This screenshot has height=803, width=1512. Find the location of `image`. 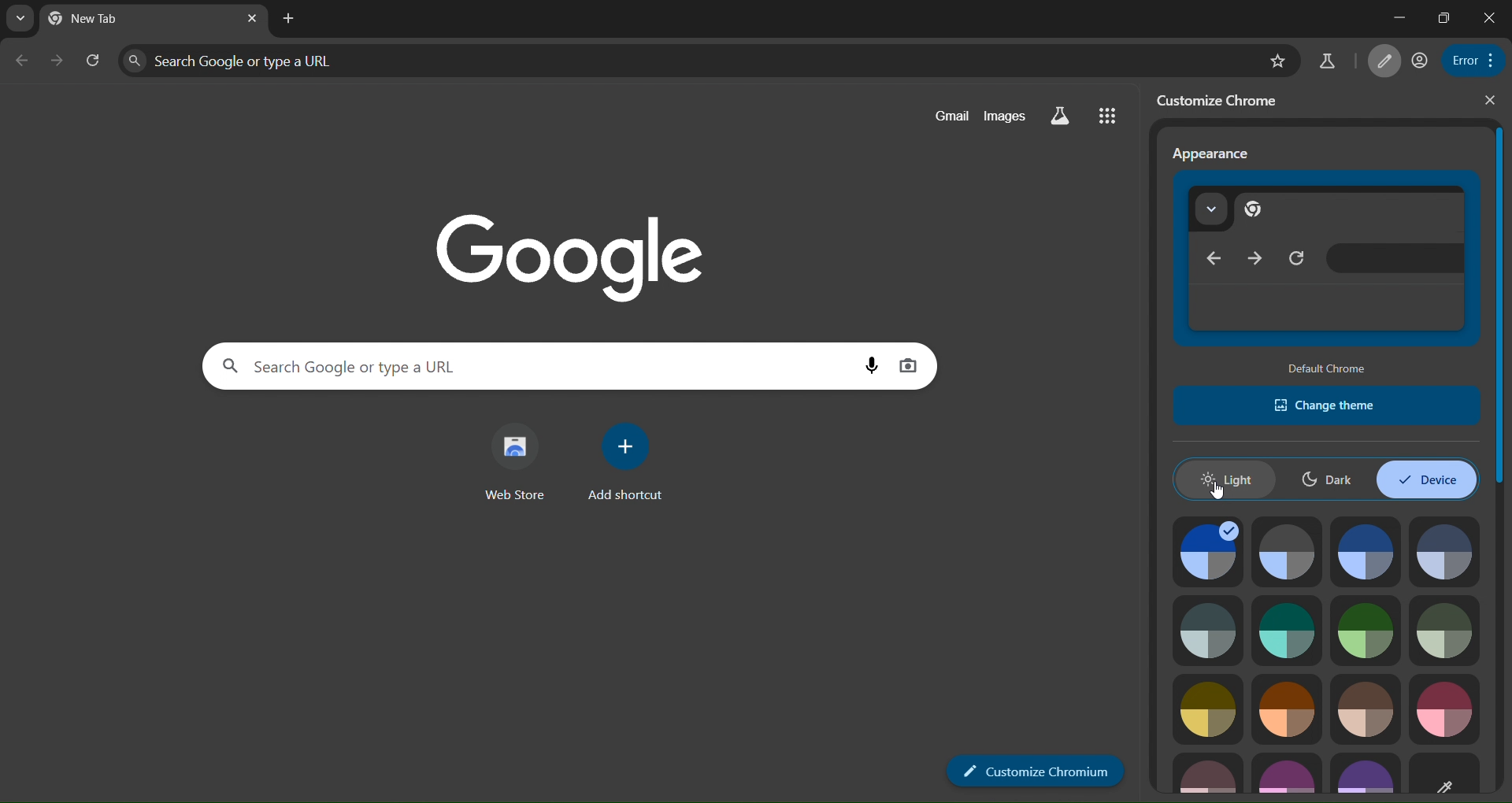

image is located at coordinates (1369, 551).